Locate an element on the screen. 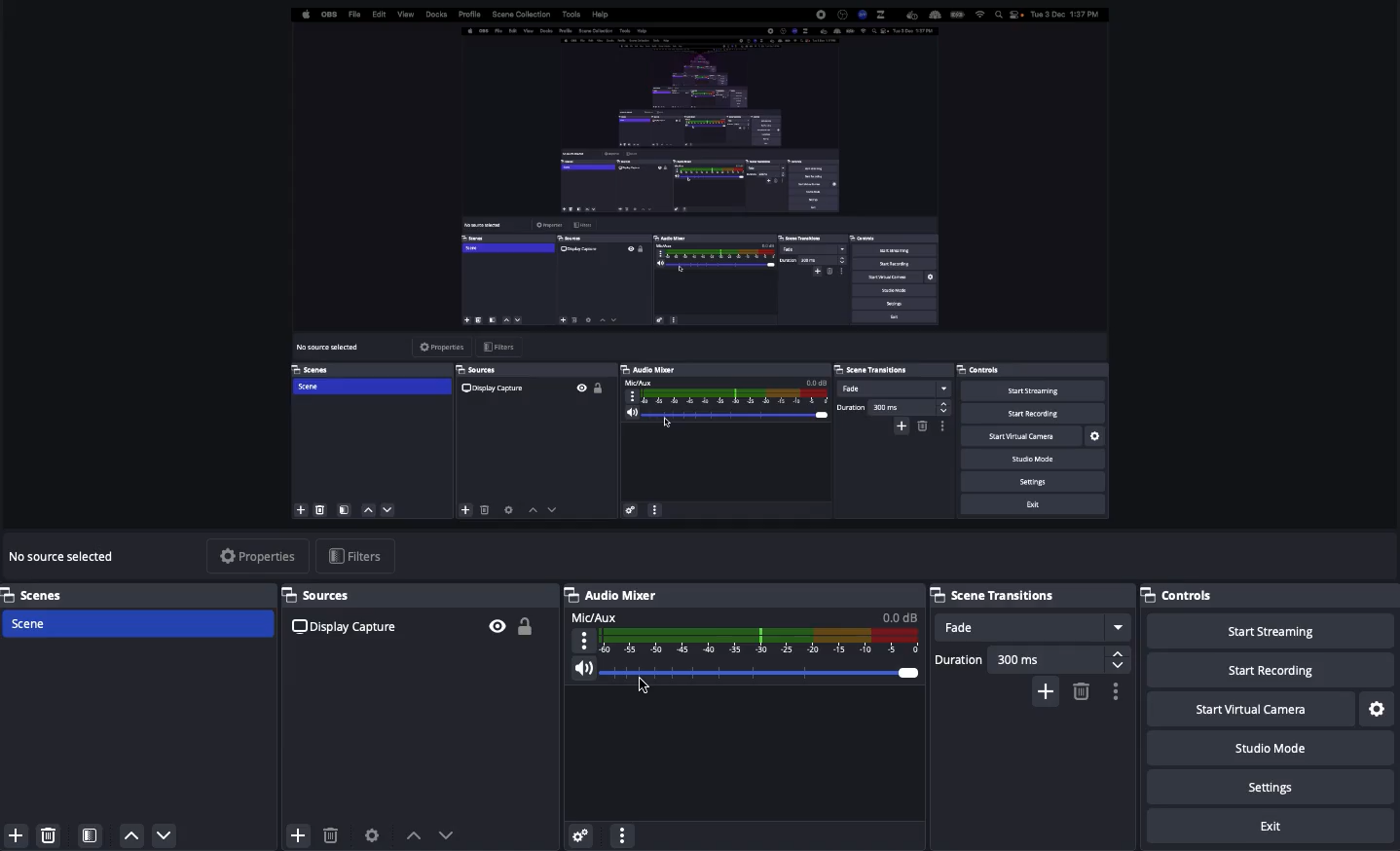 The height and width of the screenshot is (851, 1400). Settings / options is located at coordinates (1117, 692).